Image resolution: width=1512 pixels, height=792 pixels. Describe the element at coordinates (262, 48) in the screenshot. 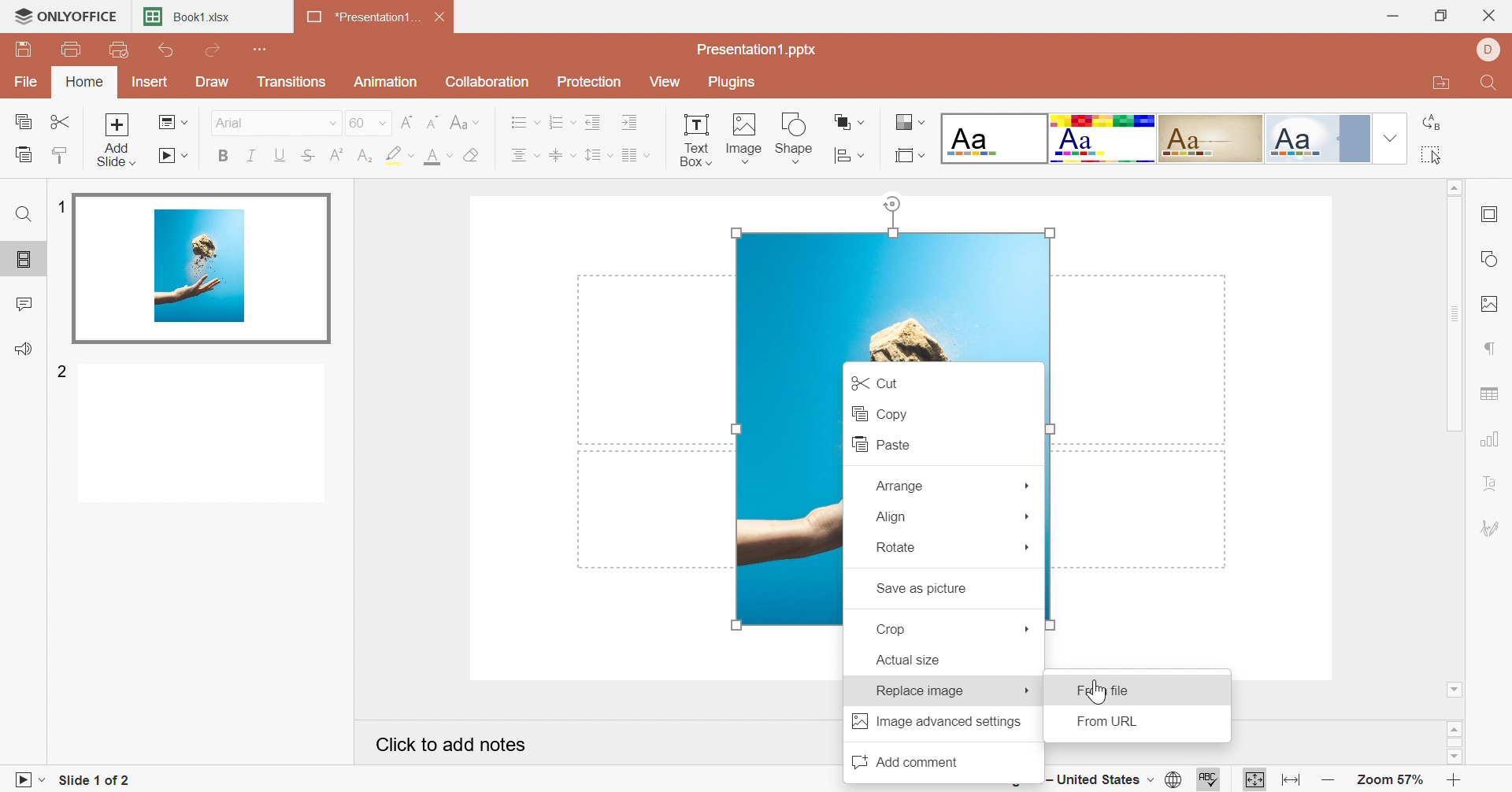

I see `Customize quick access toolbar` at that location.